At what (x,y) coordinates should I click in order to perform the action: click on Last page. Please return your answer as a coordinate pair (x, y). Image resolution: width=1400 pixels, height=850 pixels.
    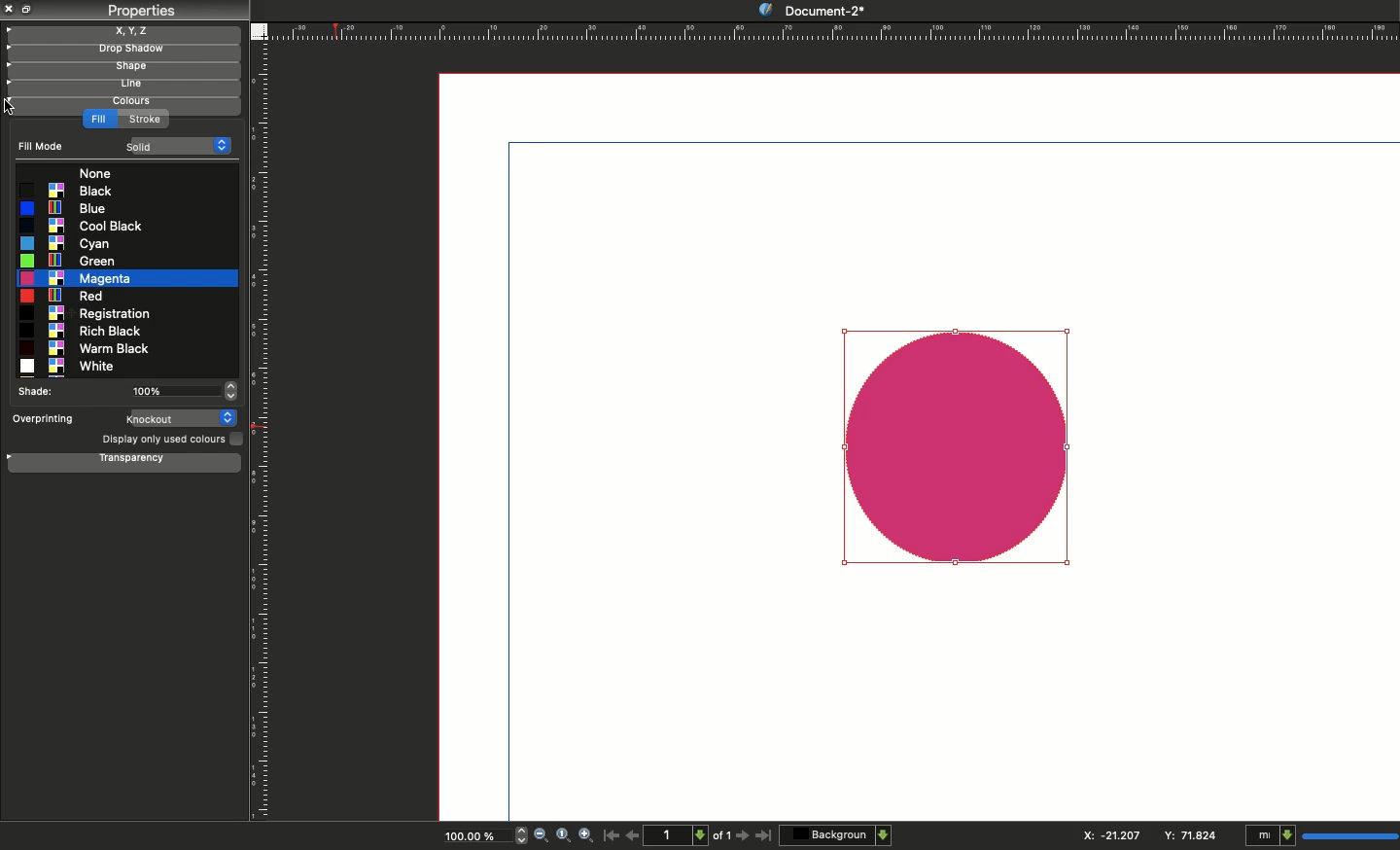
    Looking at the image, I should click on (764, 836).